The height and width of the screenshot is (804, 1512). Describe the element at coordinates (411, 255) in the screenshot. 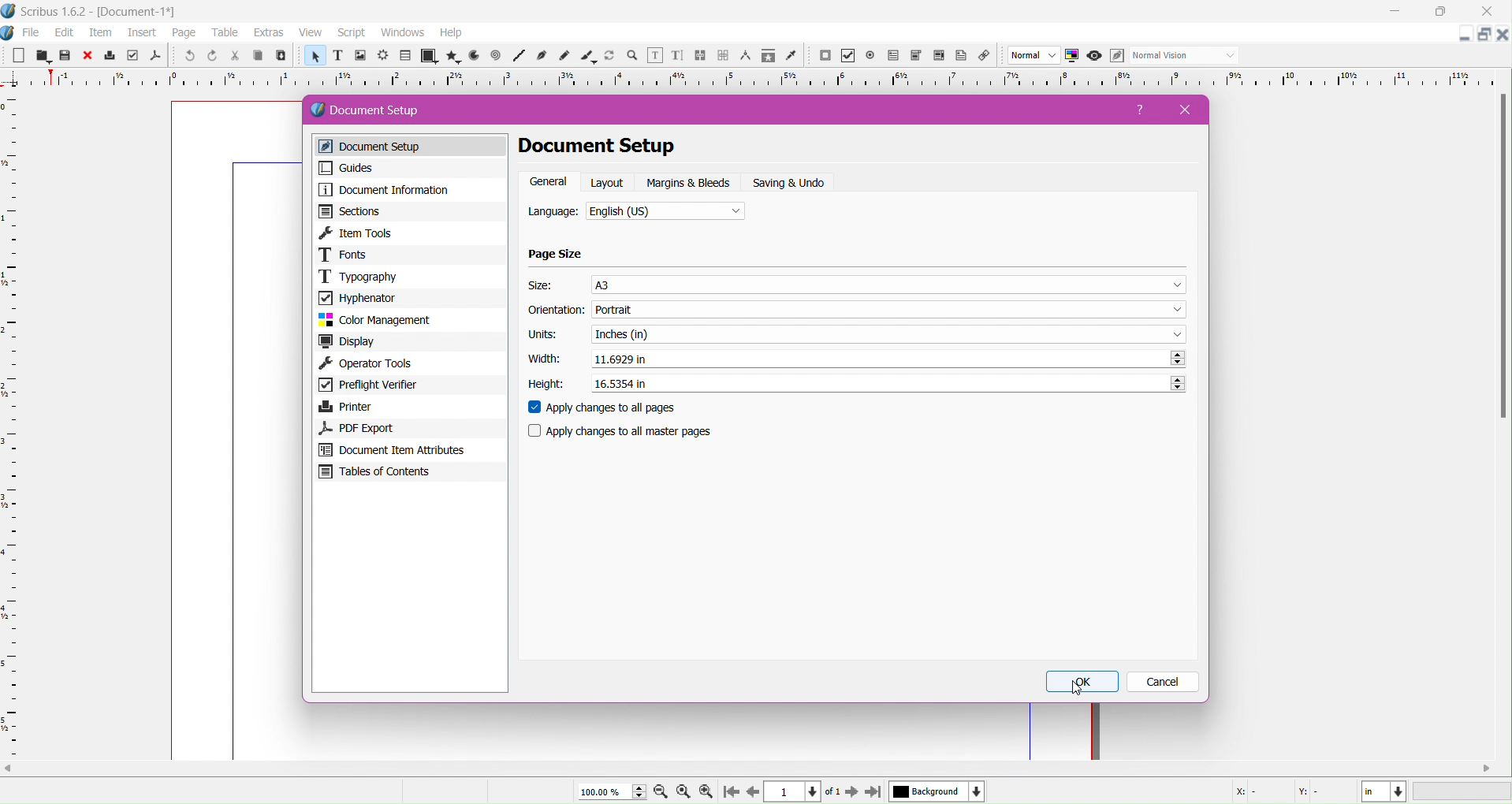

I see `Fonts` at that location.